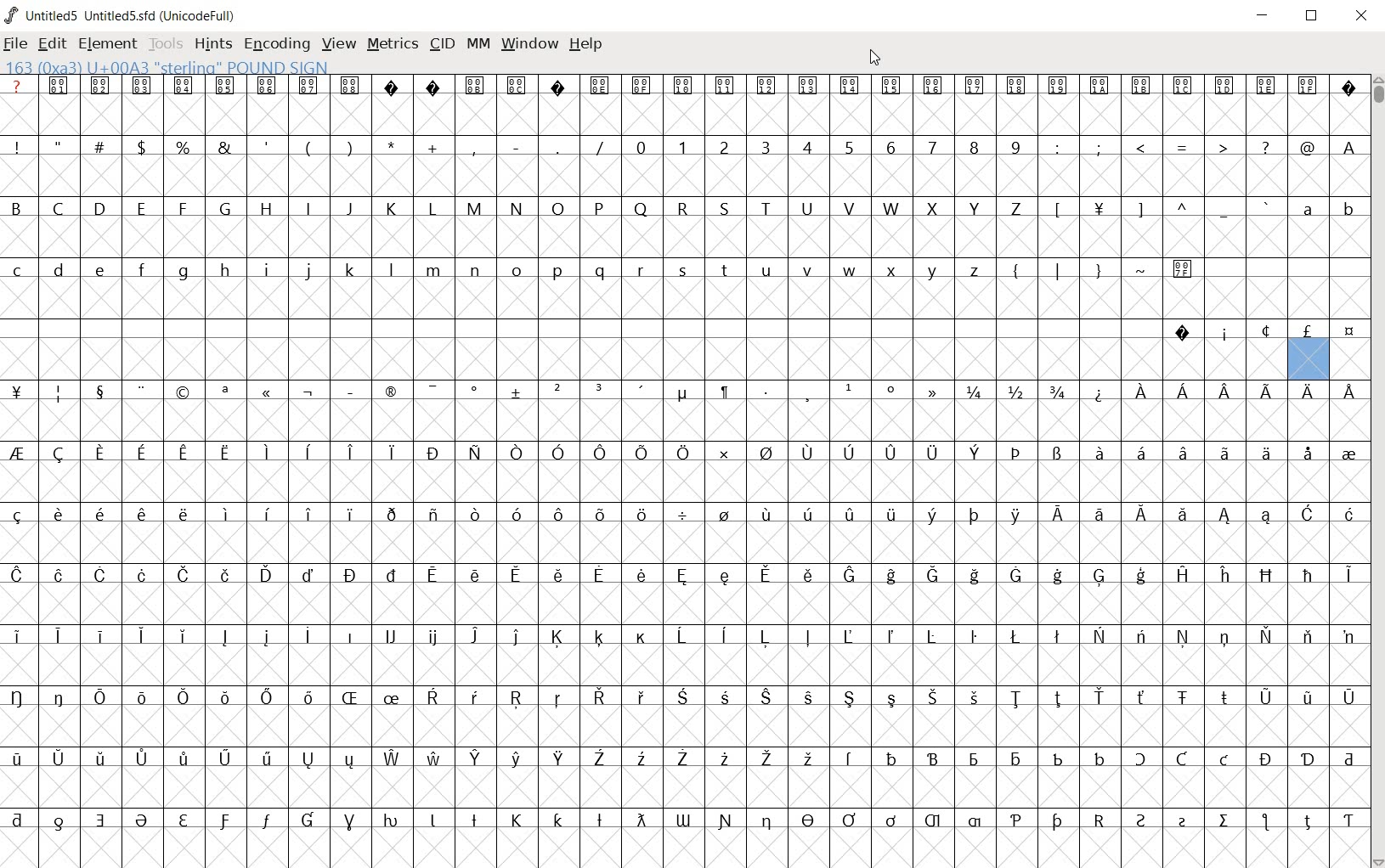  Describe the element at coordinates (684, 86) in the screenshot. I see `Symbol` at that location.